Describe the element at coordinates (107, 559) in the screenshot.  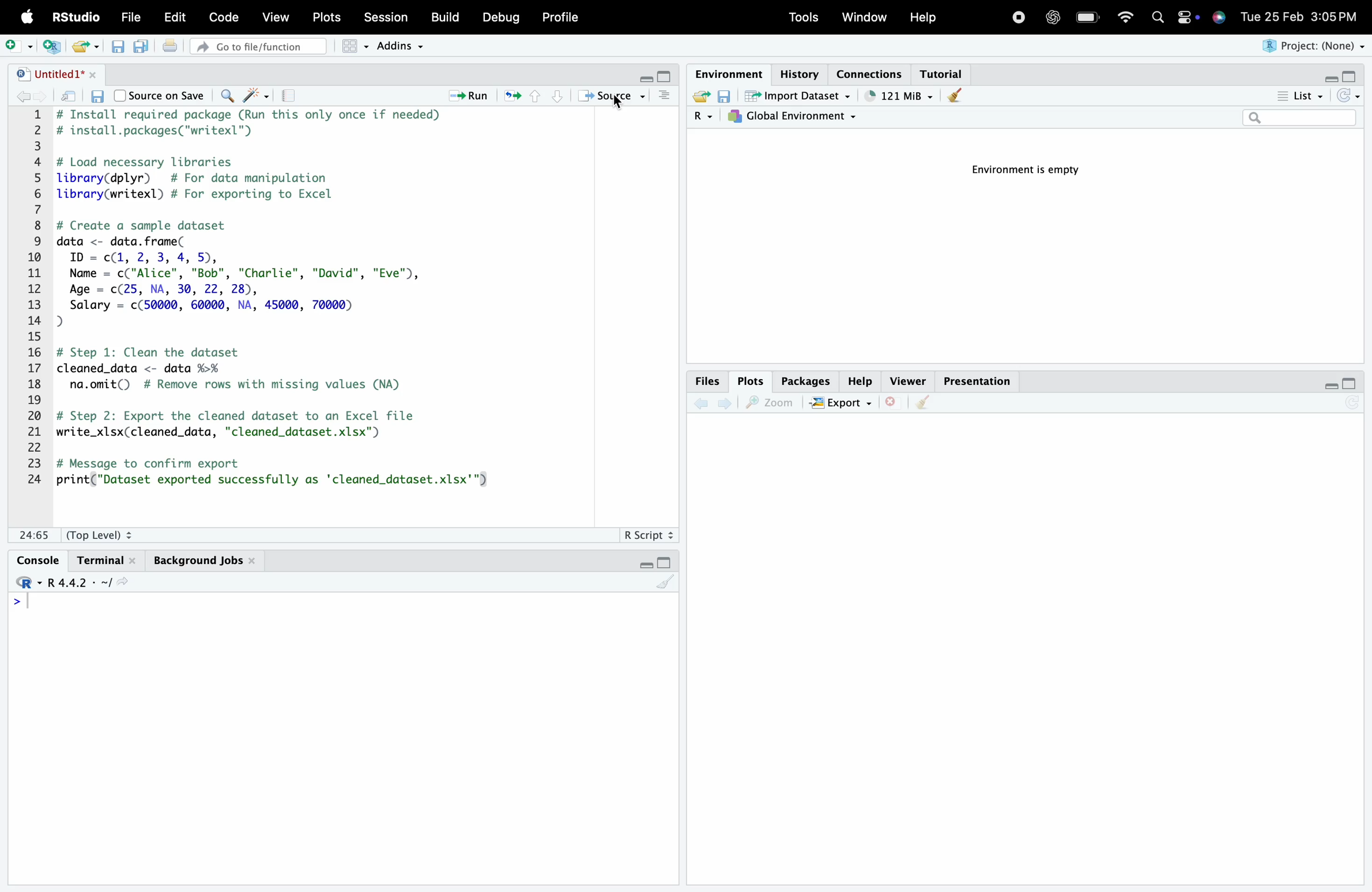
I see `Terminal` at that location.